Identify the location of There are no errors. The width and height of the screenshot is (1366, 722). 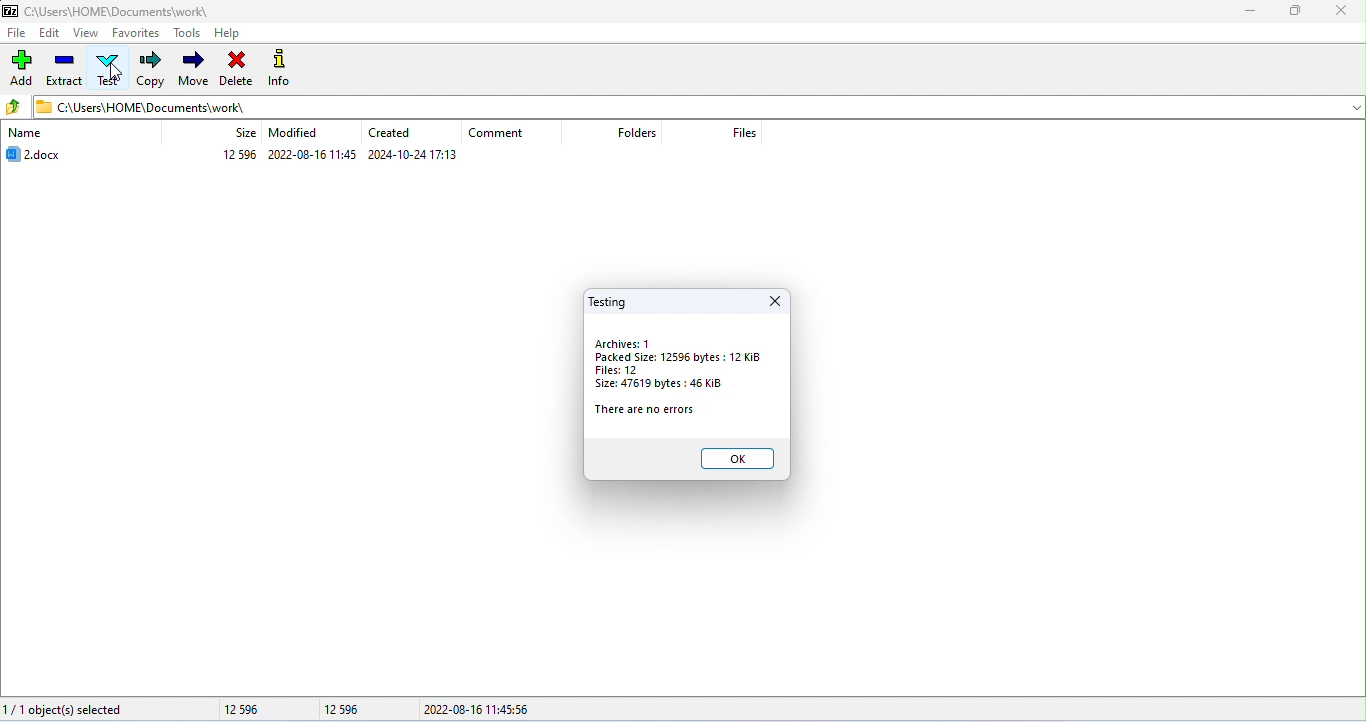
(645, 410).